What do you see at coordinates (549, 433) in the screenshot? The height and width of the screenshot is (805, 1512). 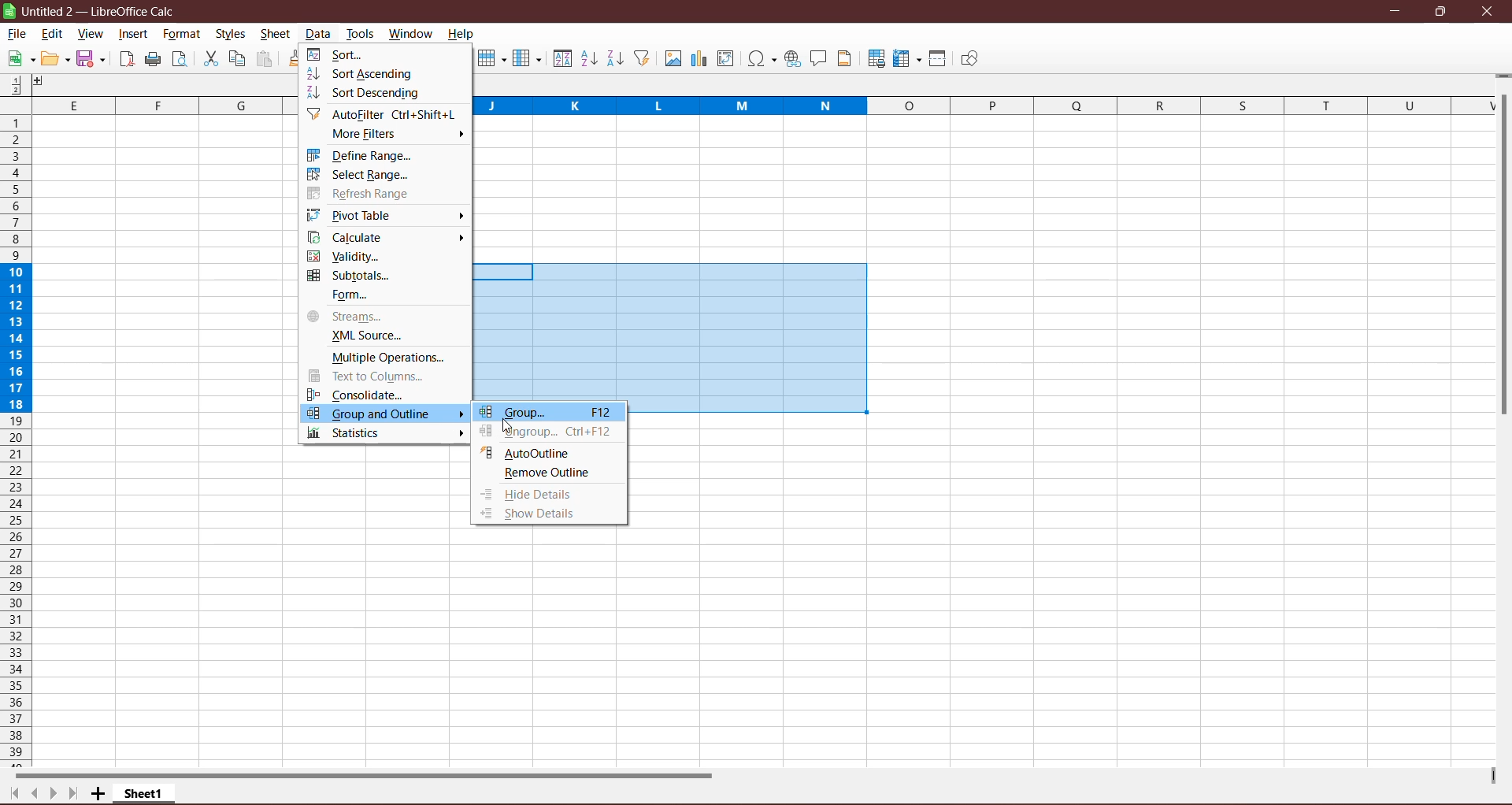 I see `Ungroup` at bounding box center [549, 433].